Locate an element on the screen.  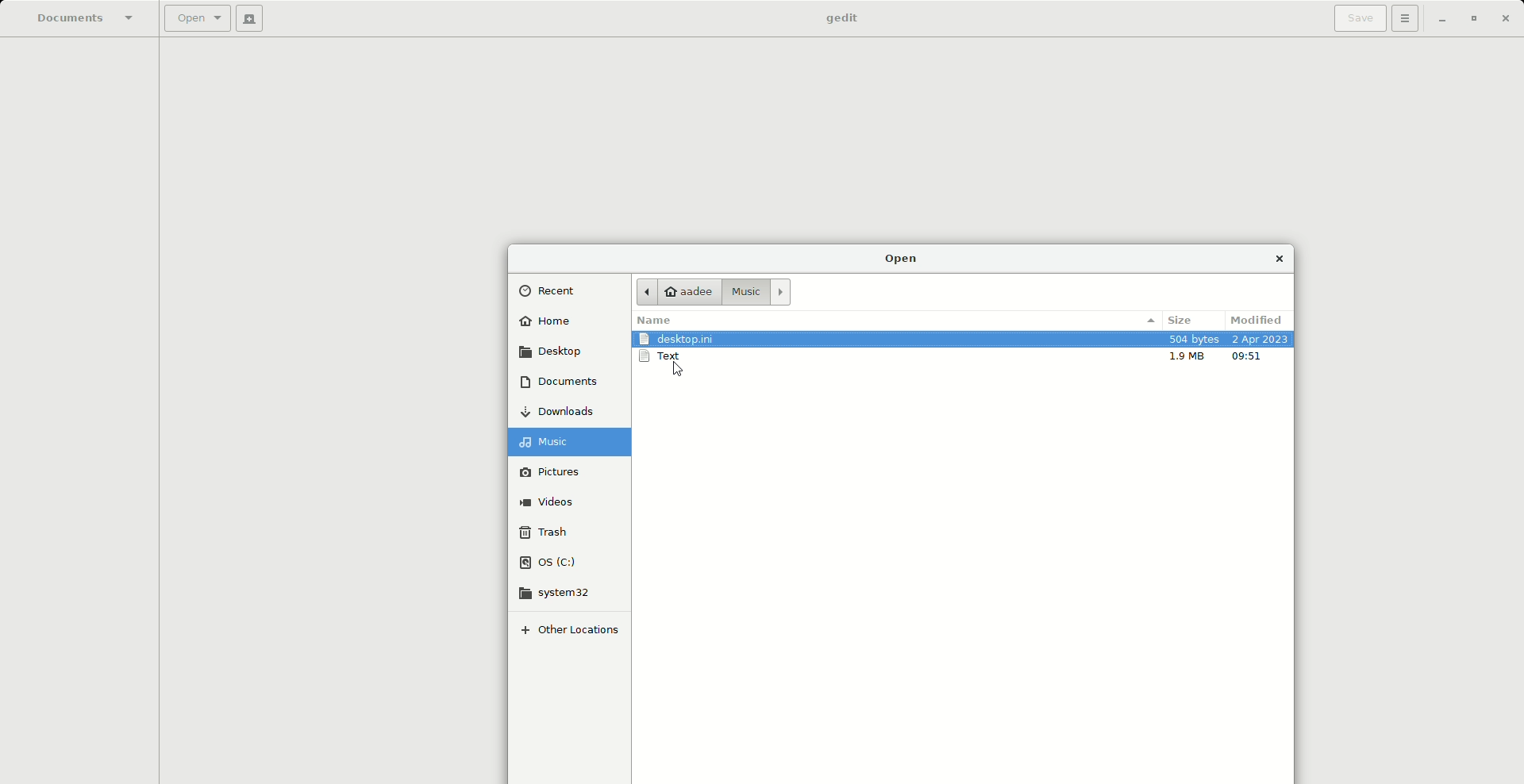
Cursor is located at coordinates (679, 371).